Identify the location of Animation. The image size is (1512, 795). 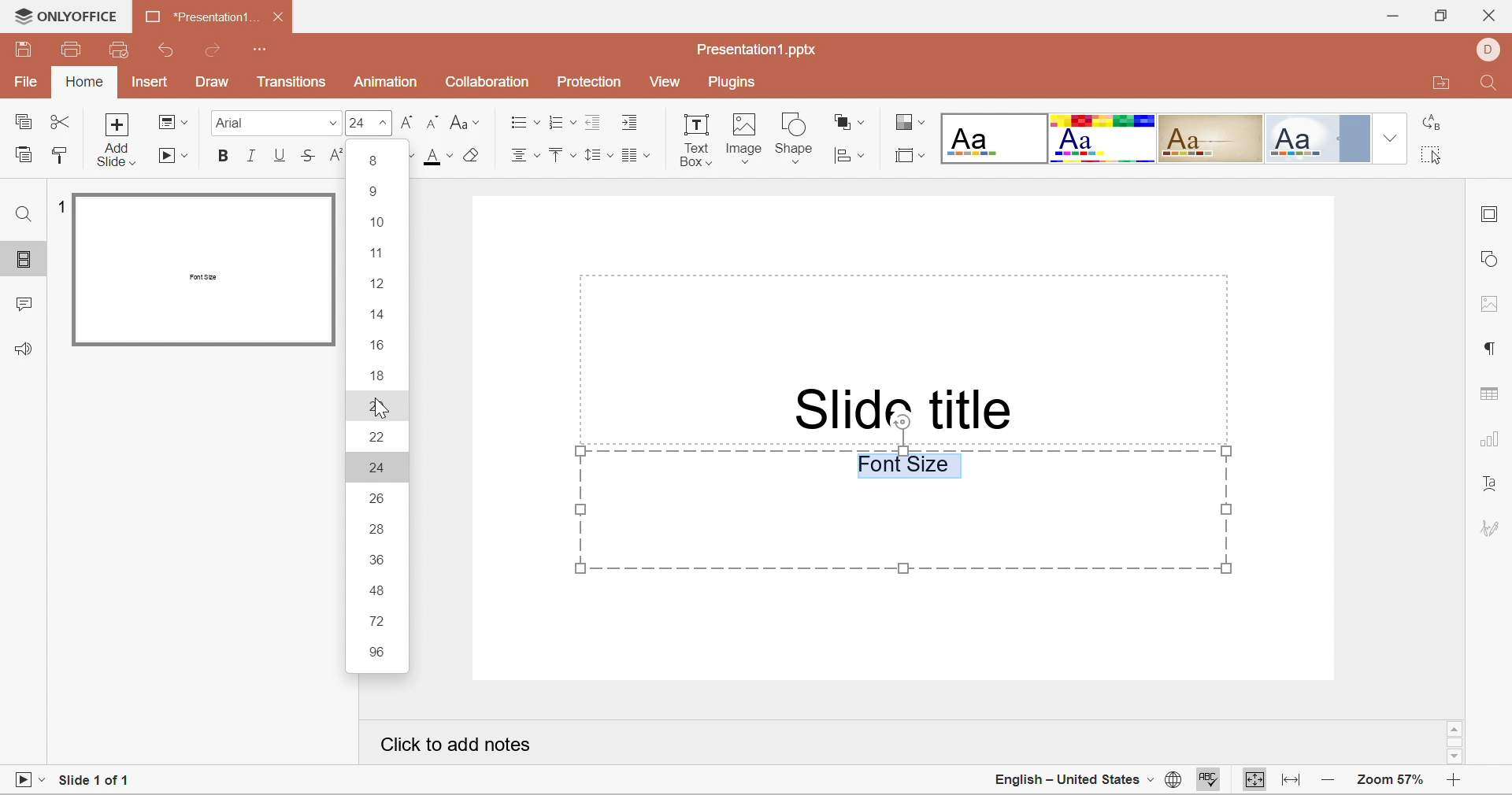
(385, 82).